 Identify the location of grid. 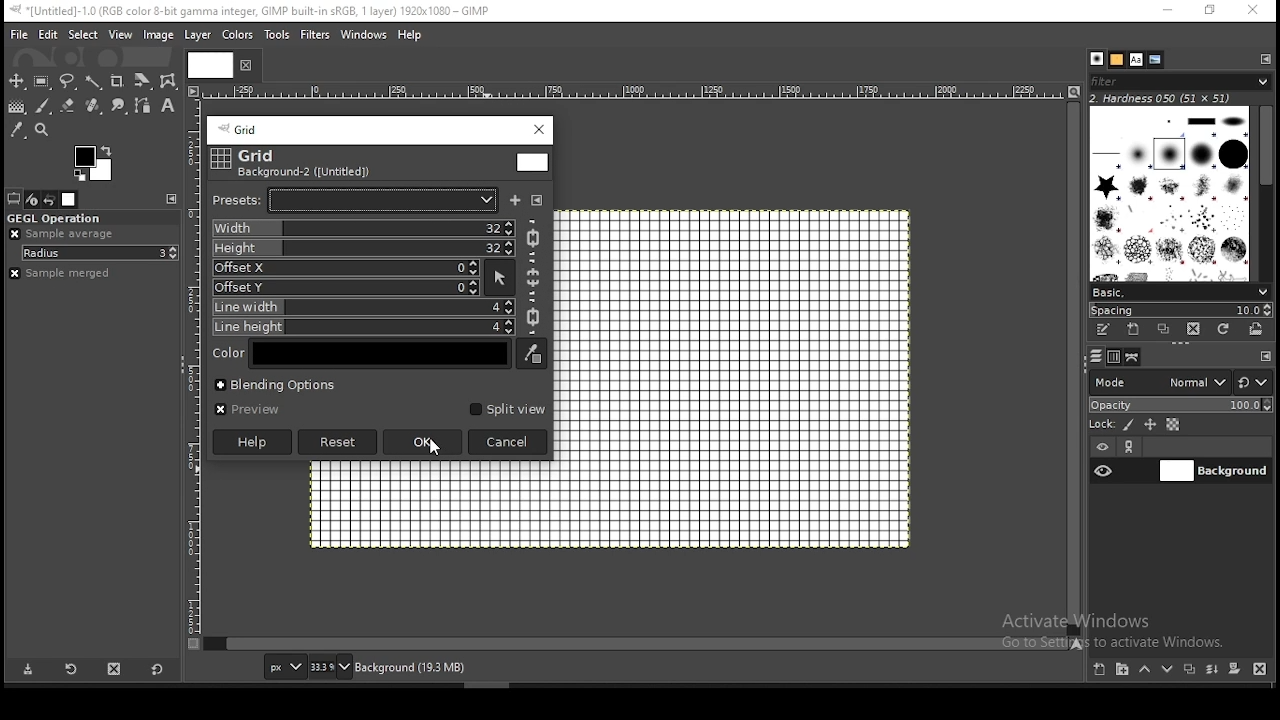
(246, 132).